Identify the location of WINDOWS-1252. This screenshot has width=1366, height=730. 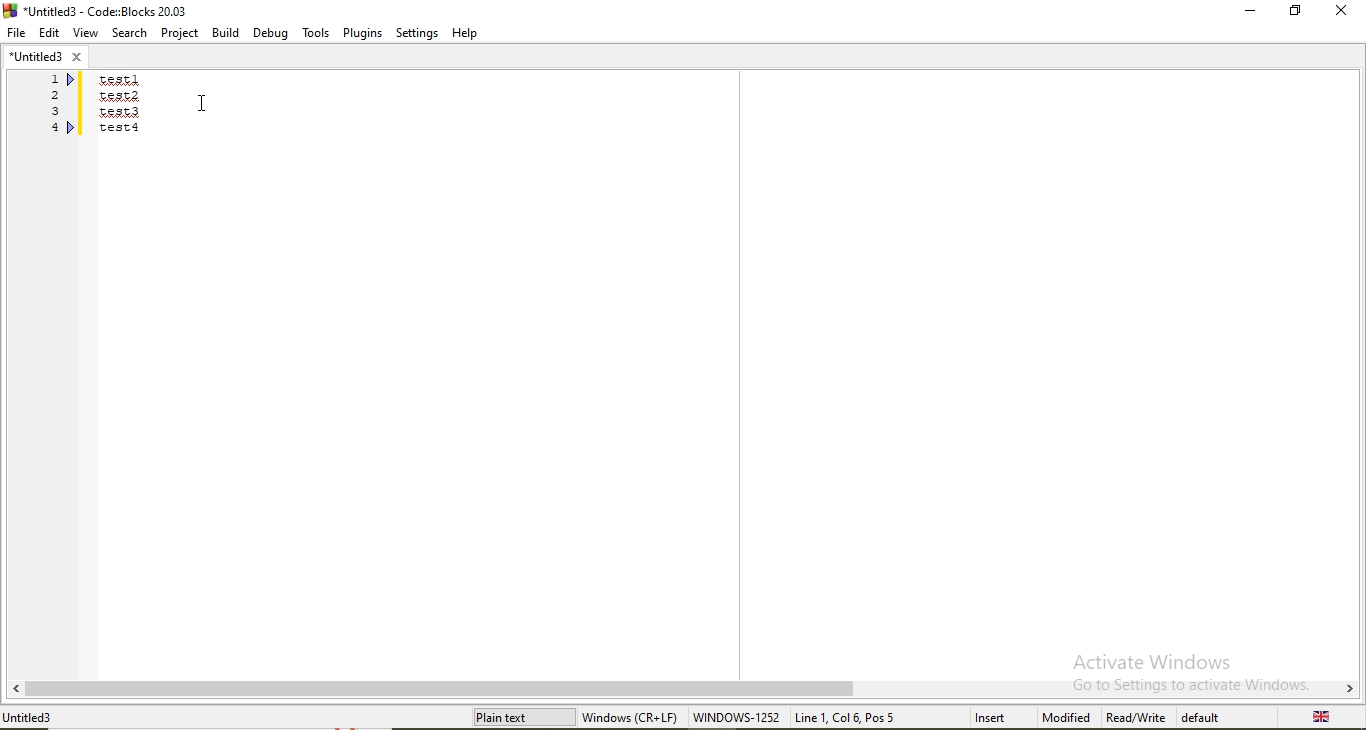
(737, 717).